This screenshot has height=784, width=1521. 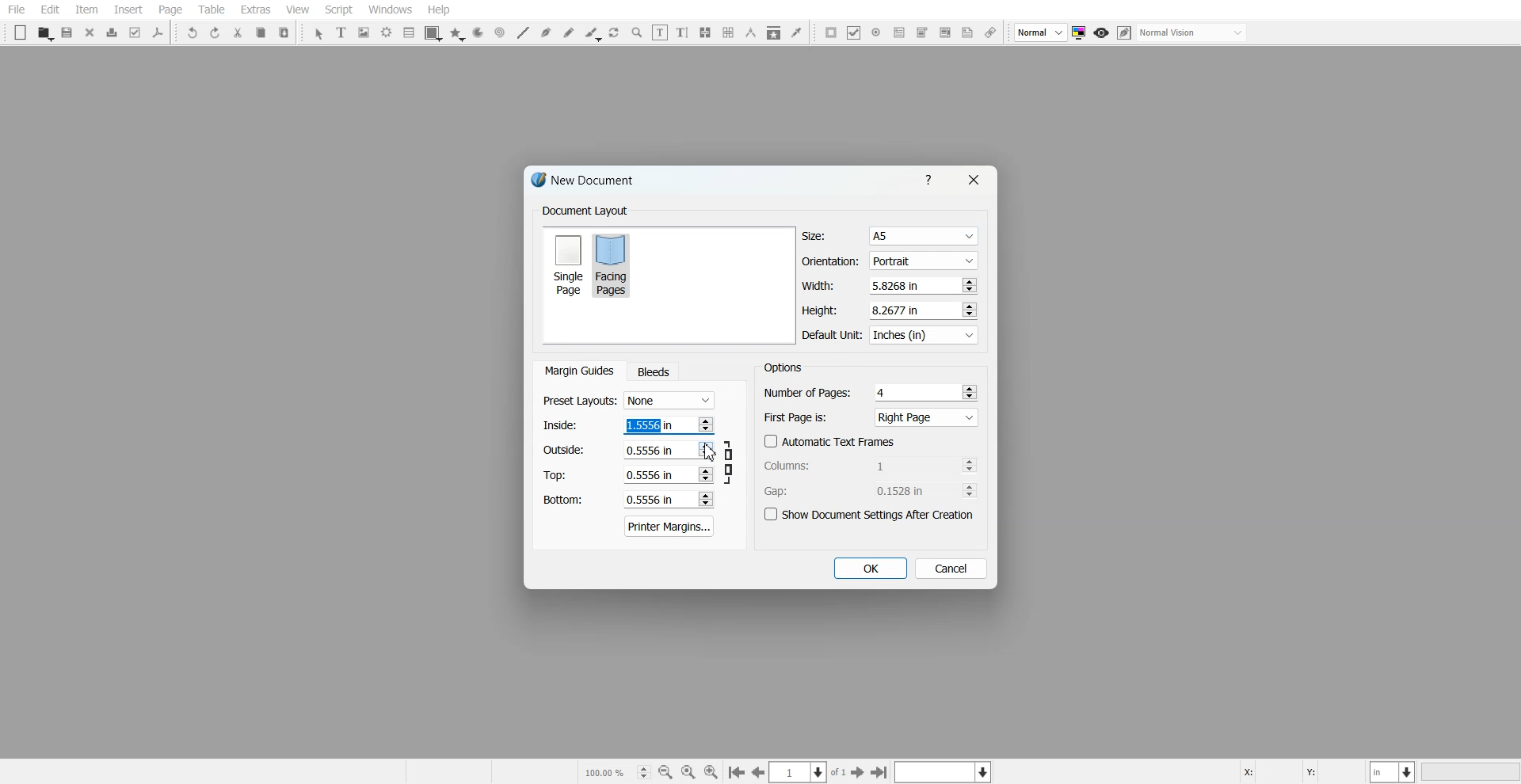 I want to click on Cursor, so click(x=711, y=451).